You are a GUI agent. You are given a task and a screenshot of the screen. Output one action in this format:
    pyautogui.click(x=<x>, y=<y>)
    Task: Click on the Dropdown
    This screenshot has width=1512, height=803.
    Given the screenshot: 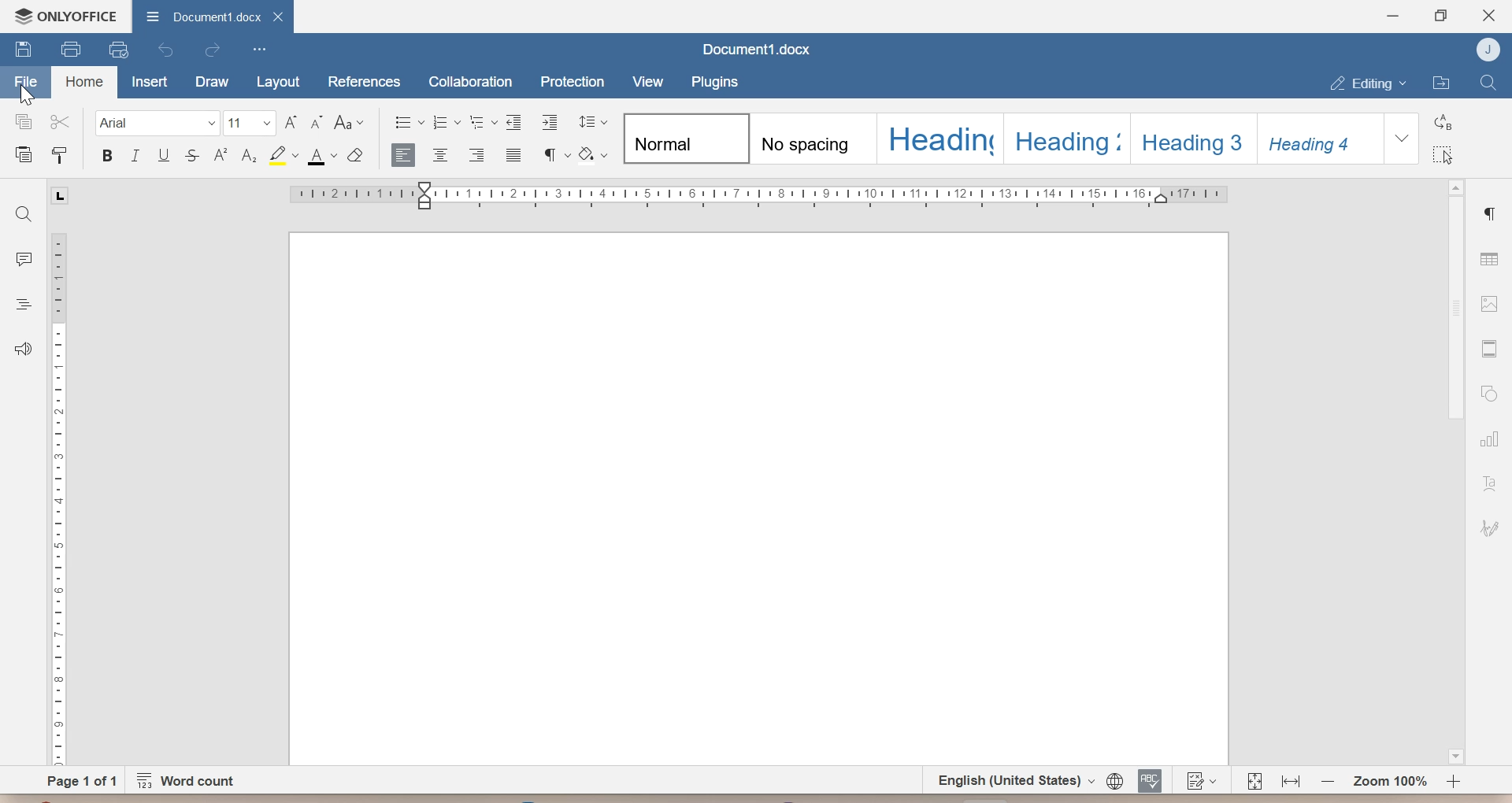 What is the action you would take?
    pyautogui.click(x=1402, y=139)
    